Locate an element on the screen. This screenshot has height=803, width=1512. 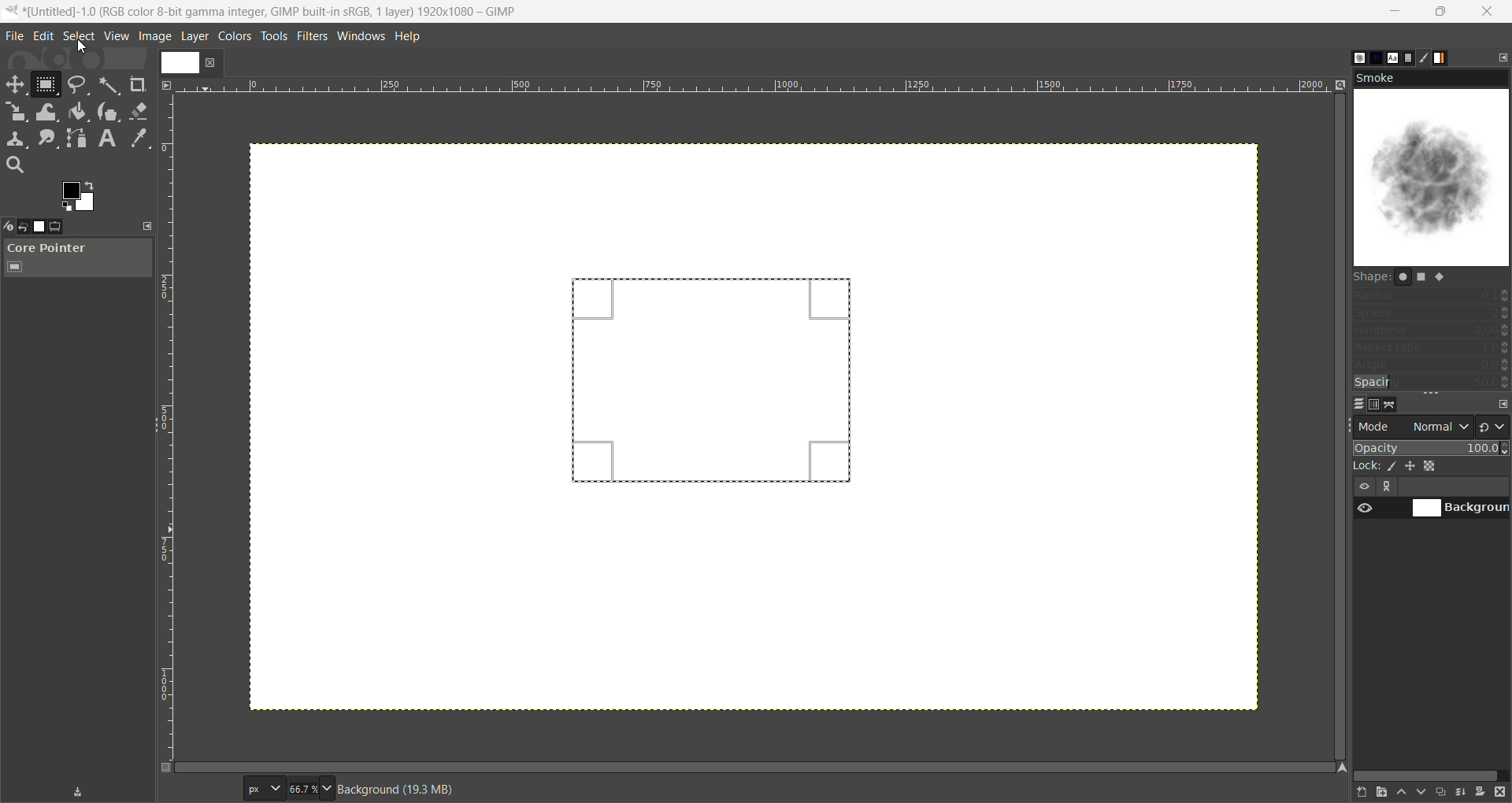
switch to another group of modes is located at coordinates (1492, 426).